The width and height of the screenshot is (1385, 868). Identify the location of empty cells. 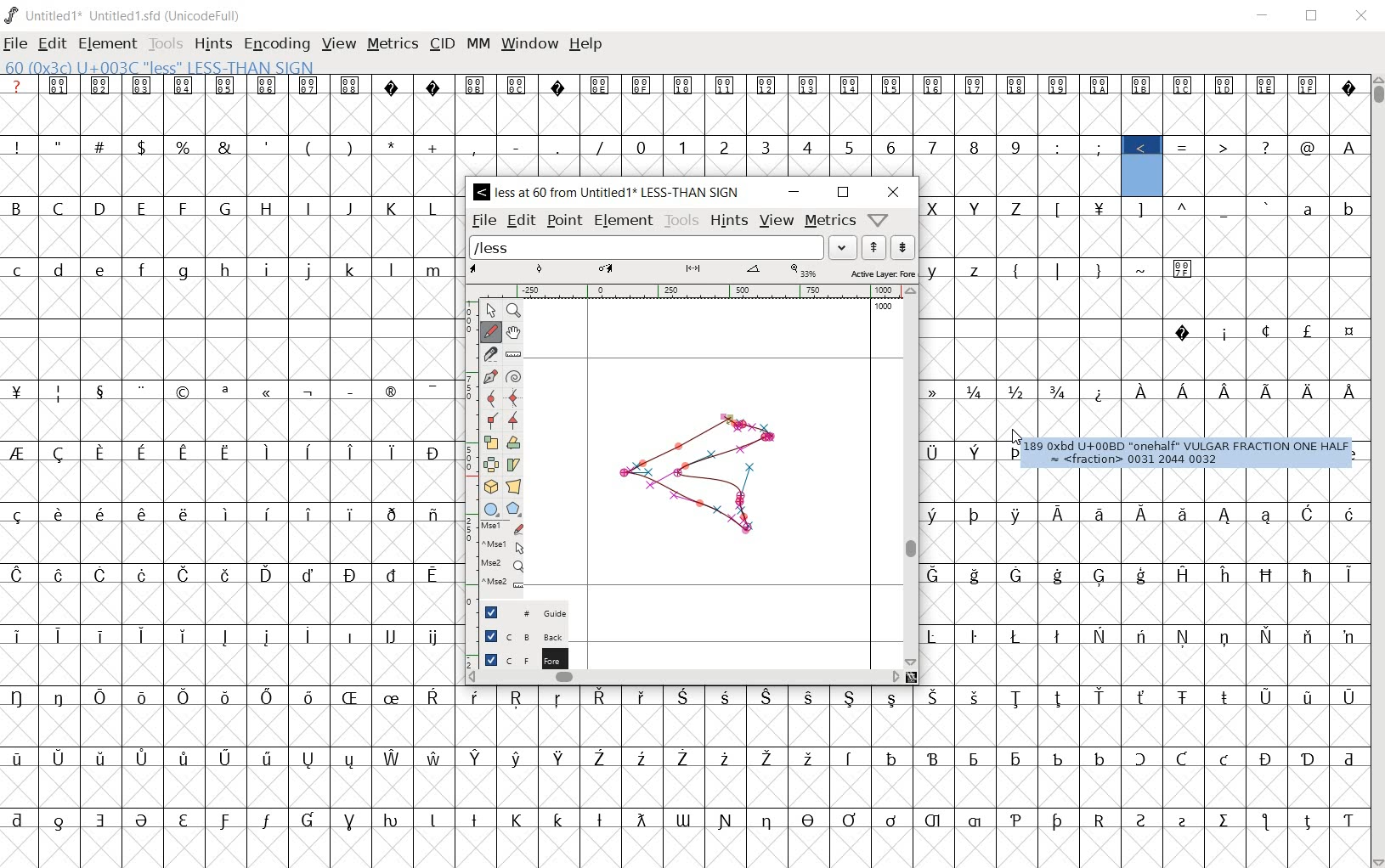
(229, 176).